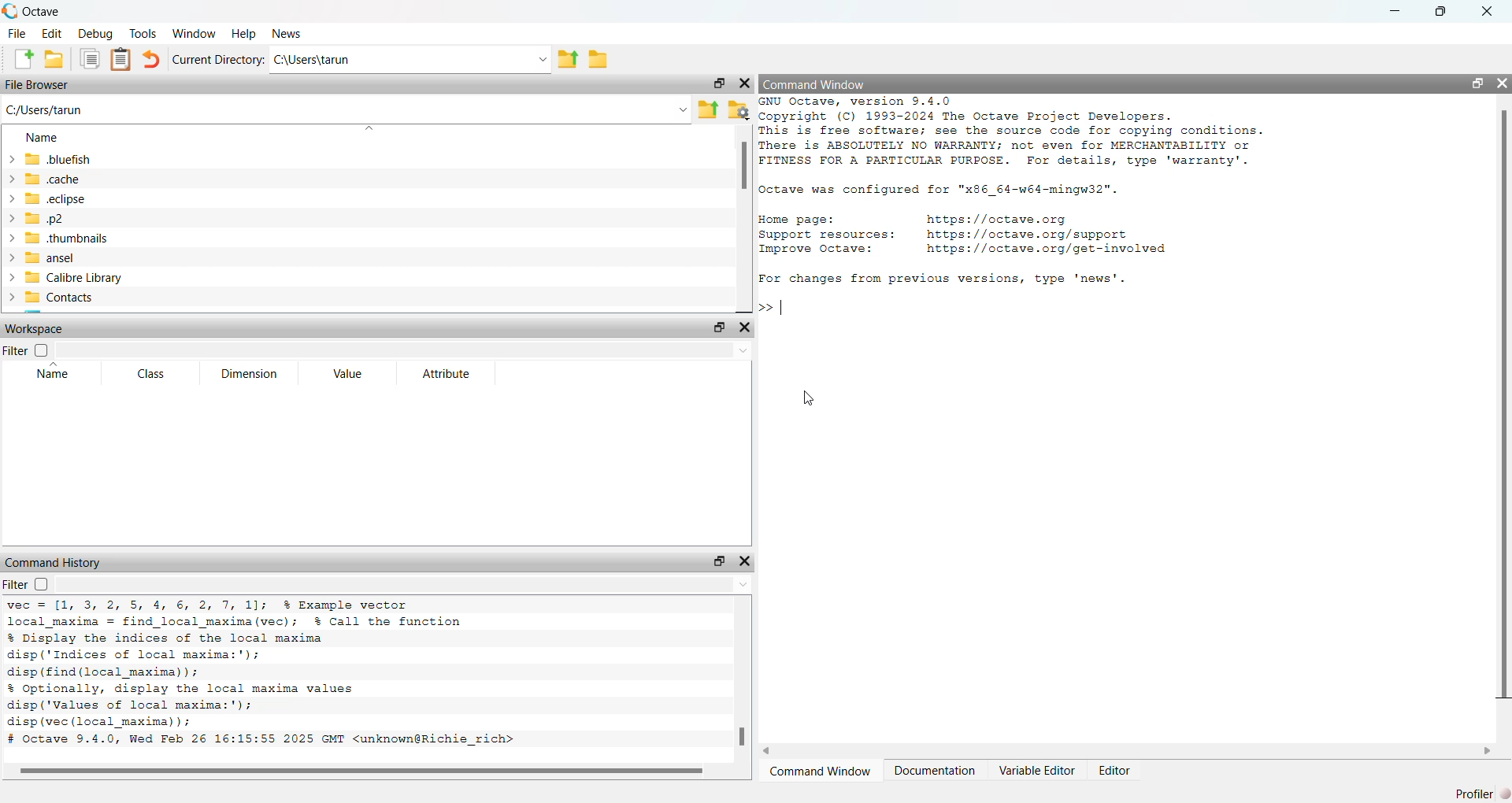  I want to click on Edit, so click(52, 32).